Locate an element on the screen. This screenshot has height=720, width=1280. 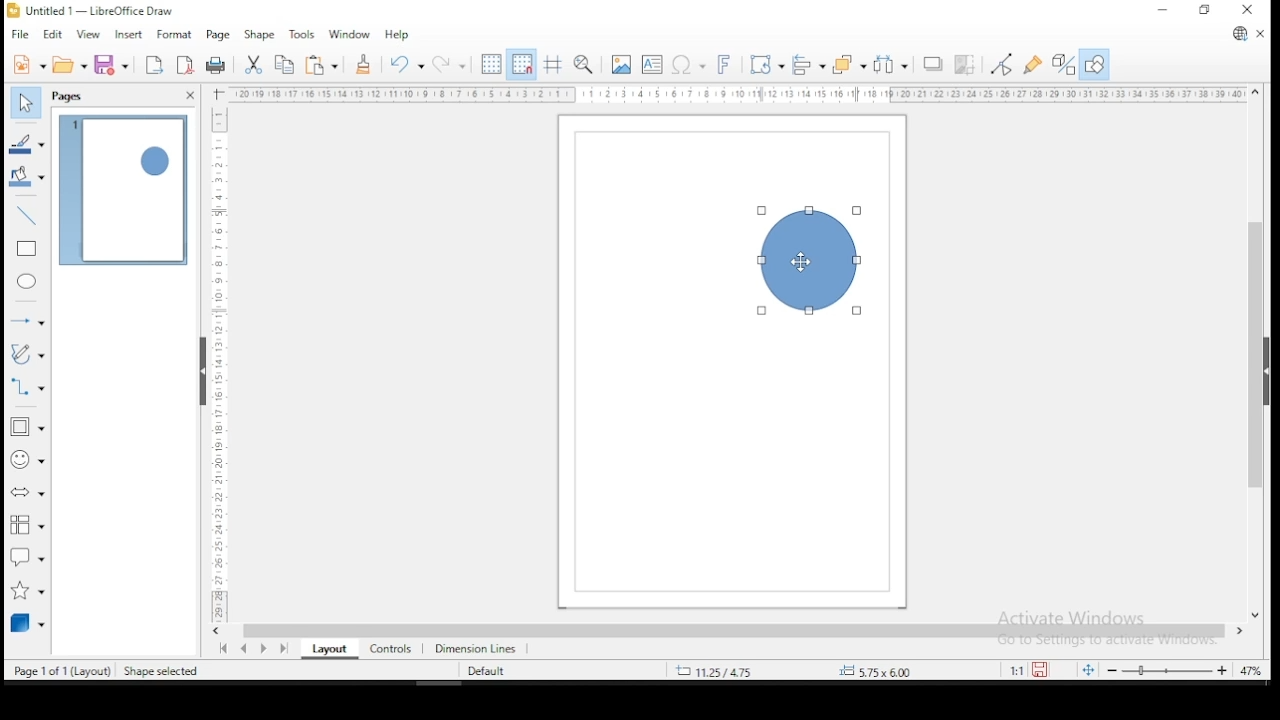
previous page is located at coordinates (247, 648).